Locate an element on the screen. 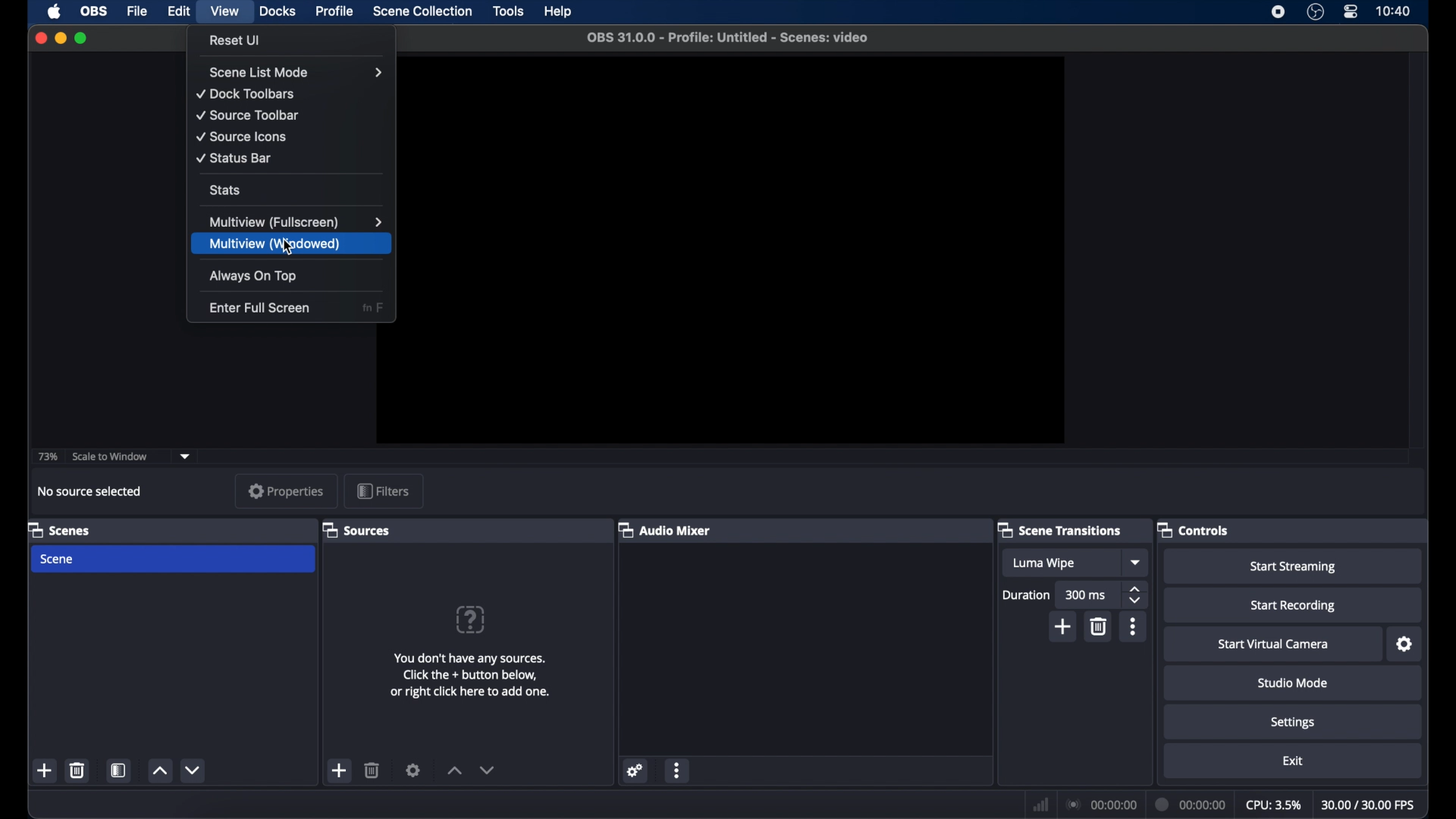  source icons is located at coordinates (241, 137).